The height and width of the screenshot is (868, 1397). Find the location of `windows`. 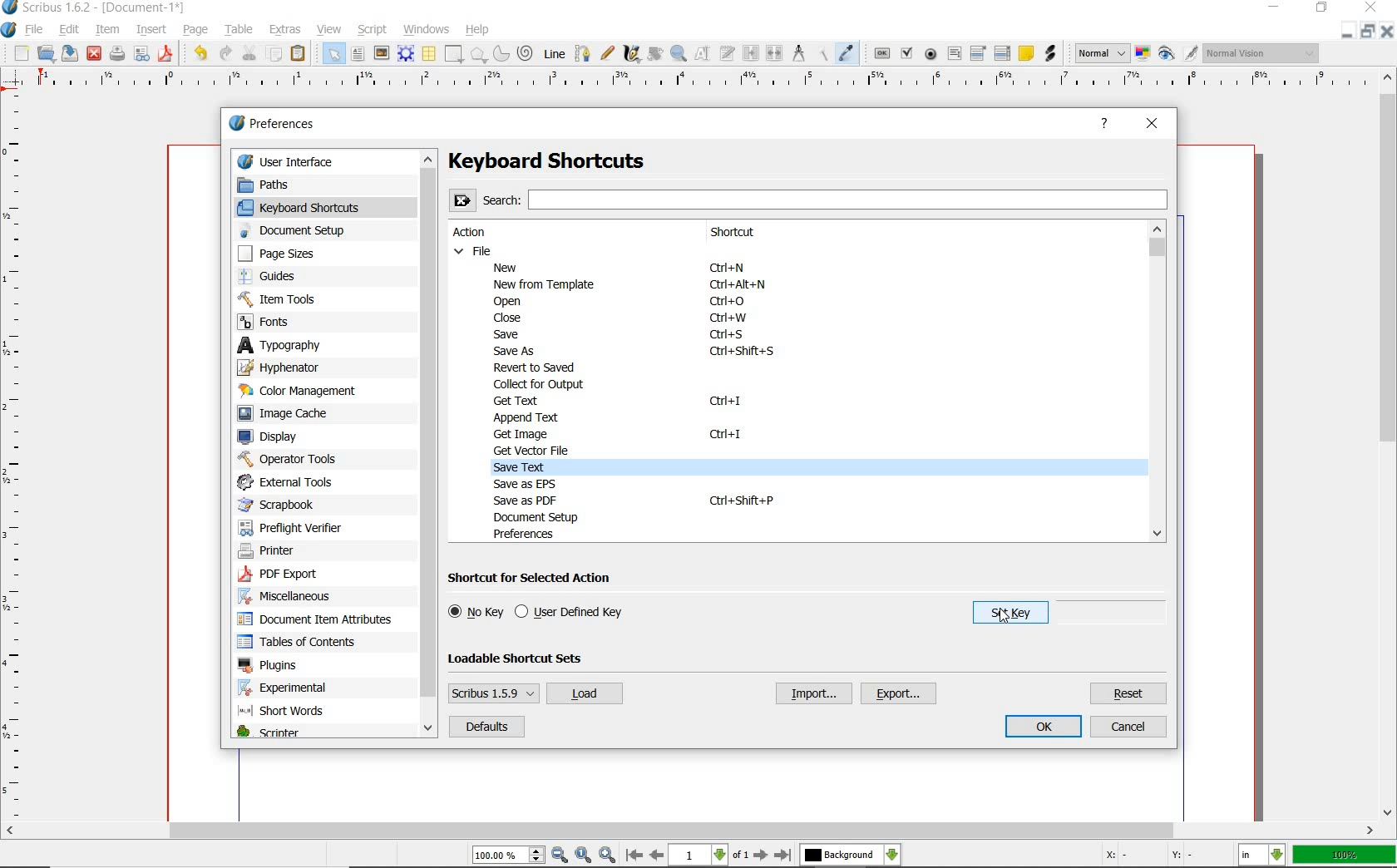

windows is located at coordinates (427, 30).